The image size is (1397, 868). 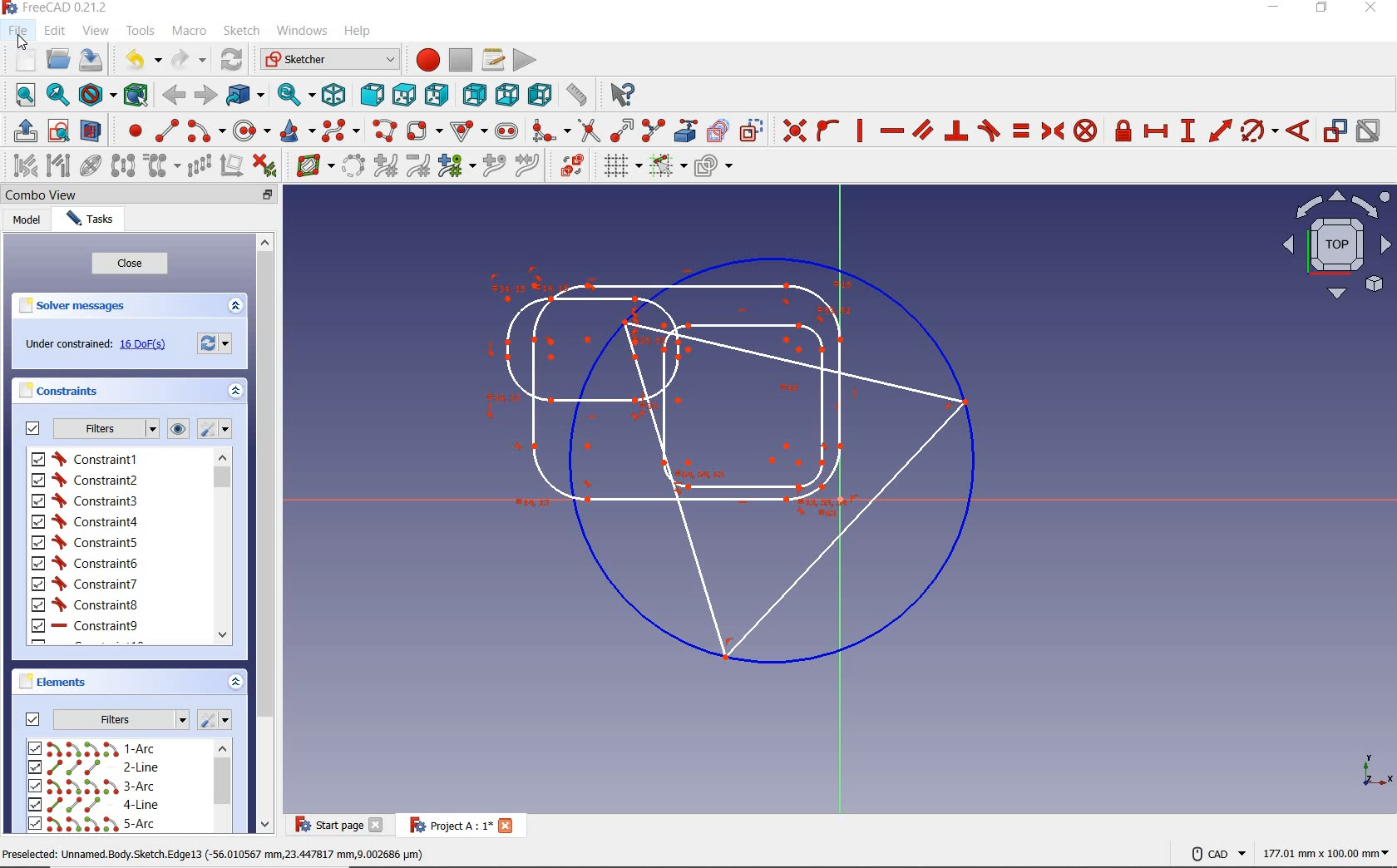 What do you see at coordinates (550, 131) in the screenshot?
I see `create fillet` at bounding box center [550, 131].